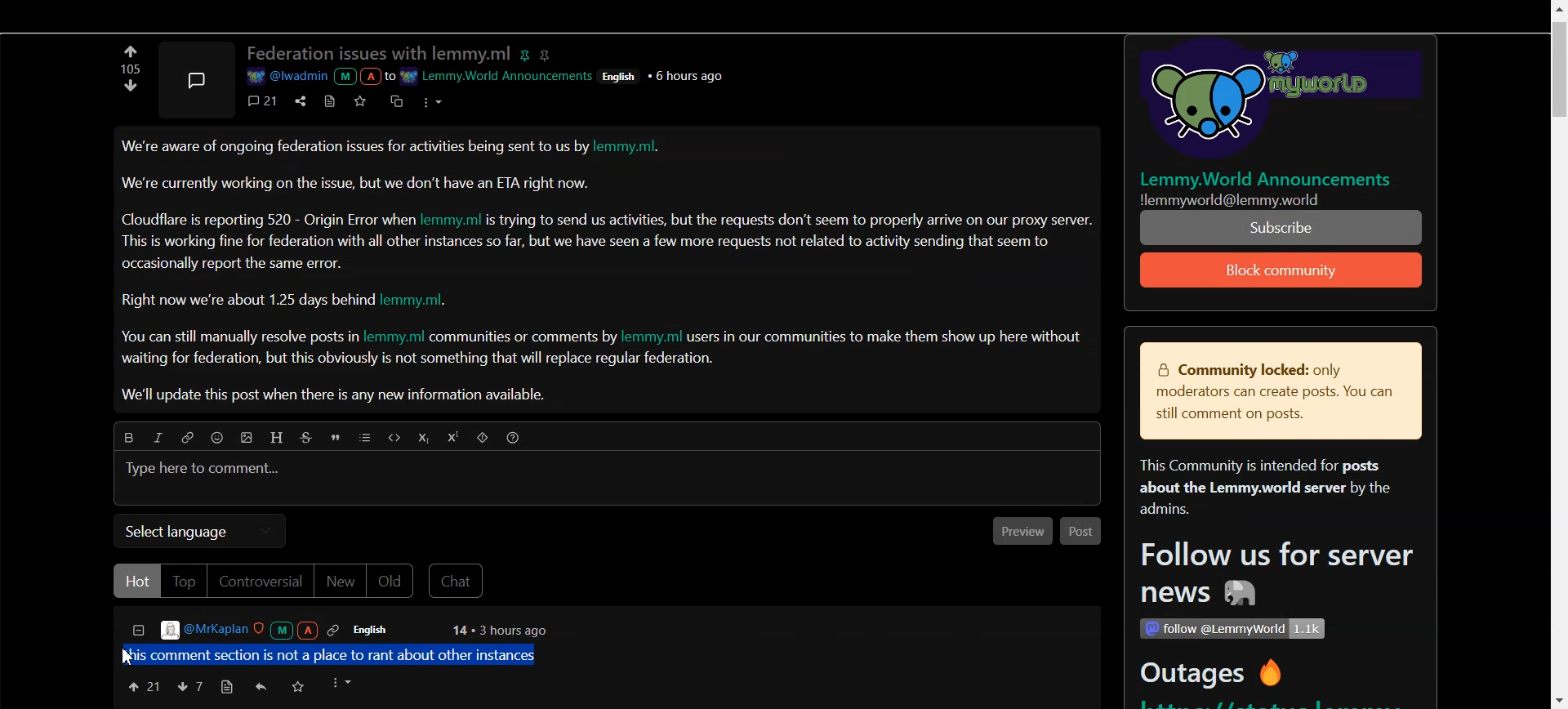  I want to click on comment, so click(264, 100).